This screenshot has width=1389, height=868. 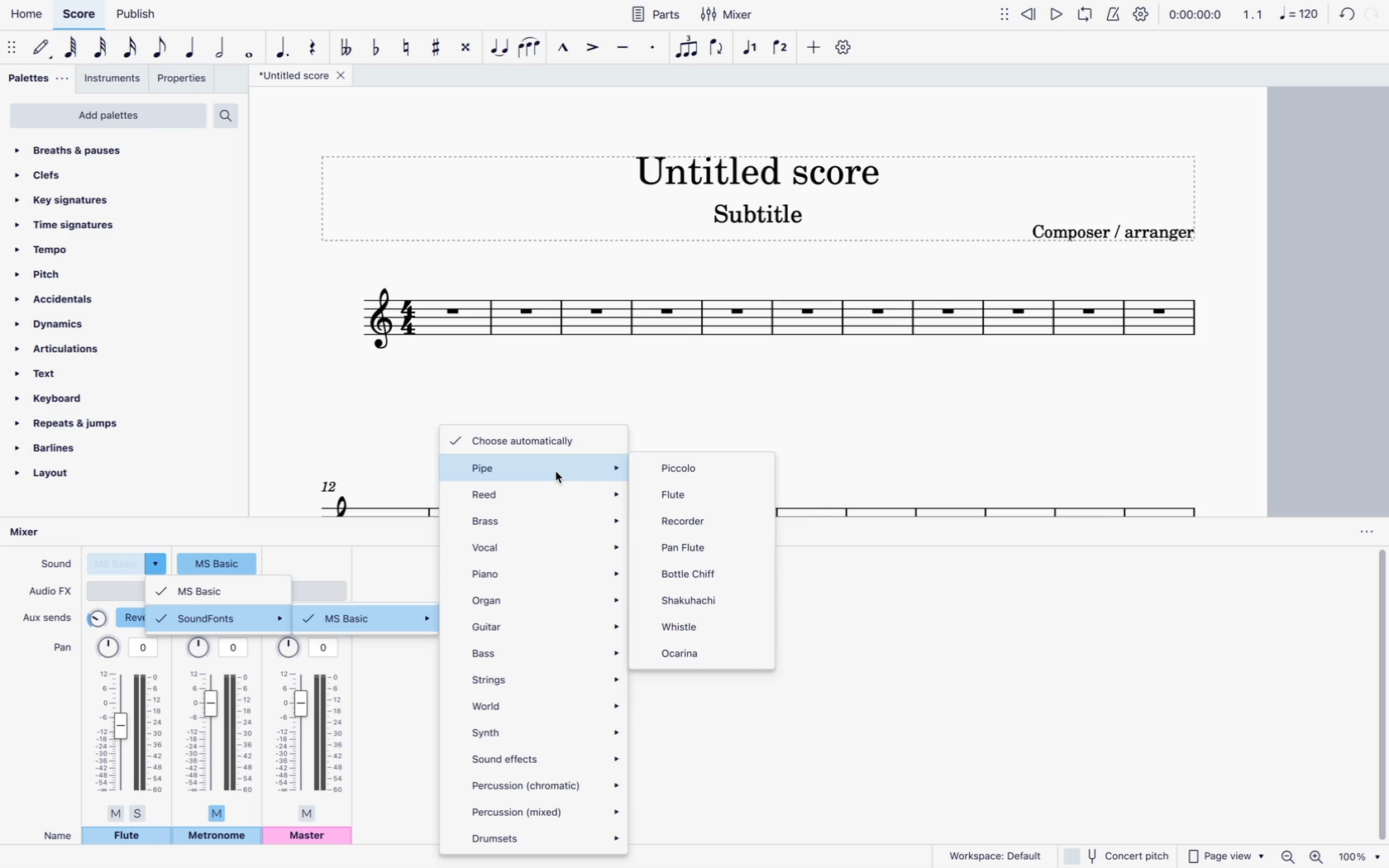 I want to click on pan, so click(x=61, y=646).